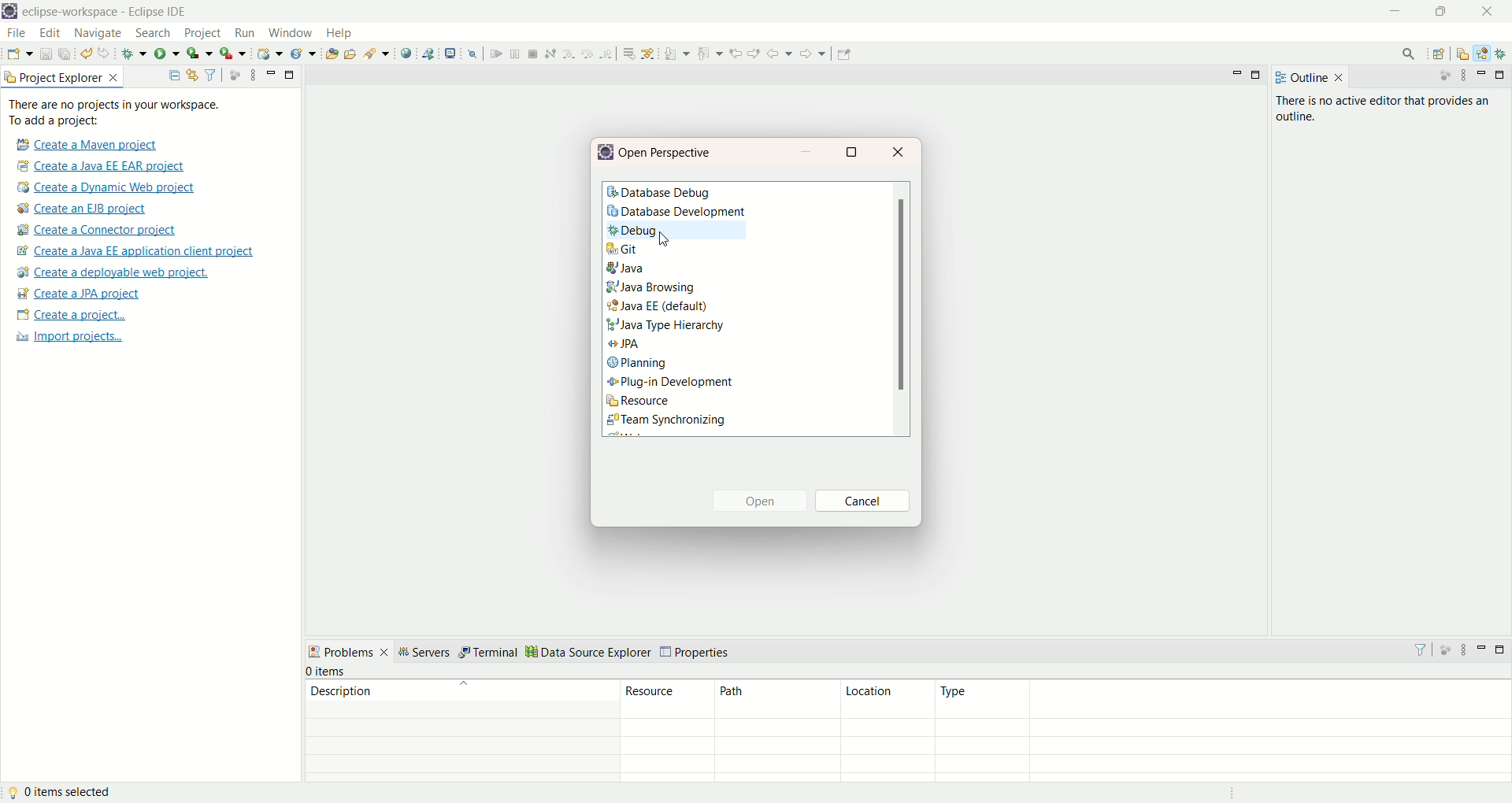 The width and height of the screenshot is (1512, 803). What do you see at coordinates (648, 54) in the screenshot?
I see `use step filters` at bounding box center [648, 54].